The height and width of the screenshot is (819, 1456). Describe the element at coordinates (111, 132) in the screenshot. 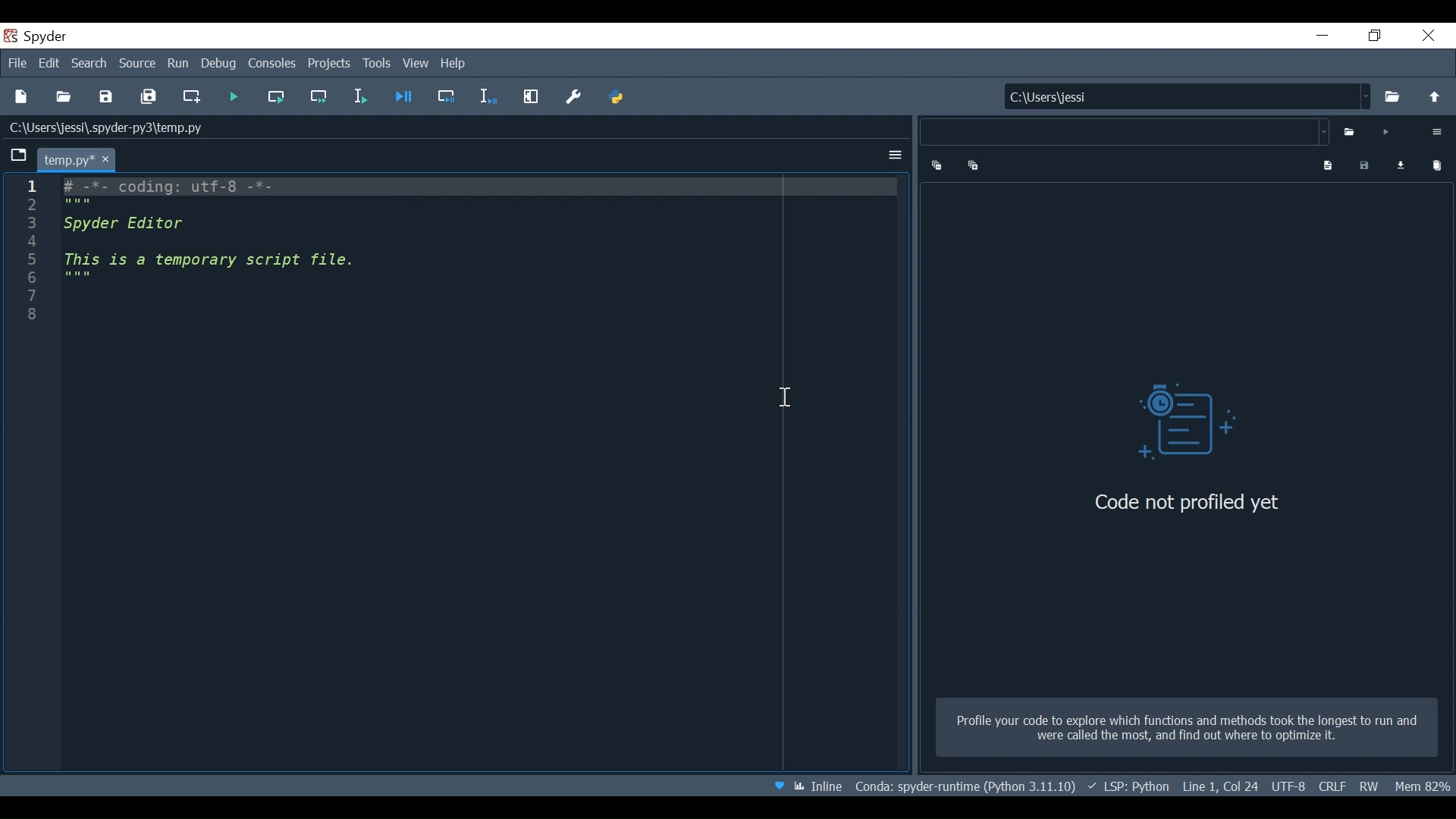

I see `C:\Users\jessi\.spyder-py3\temp.py` at that location.